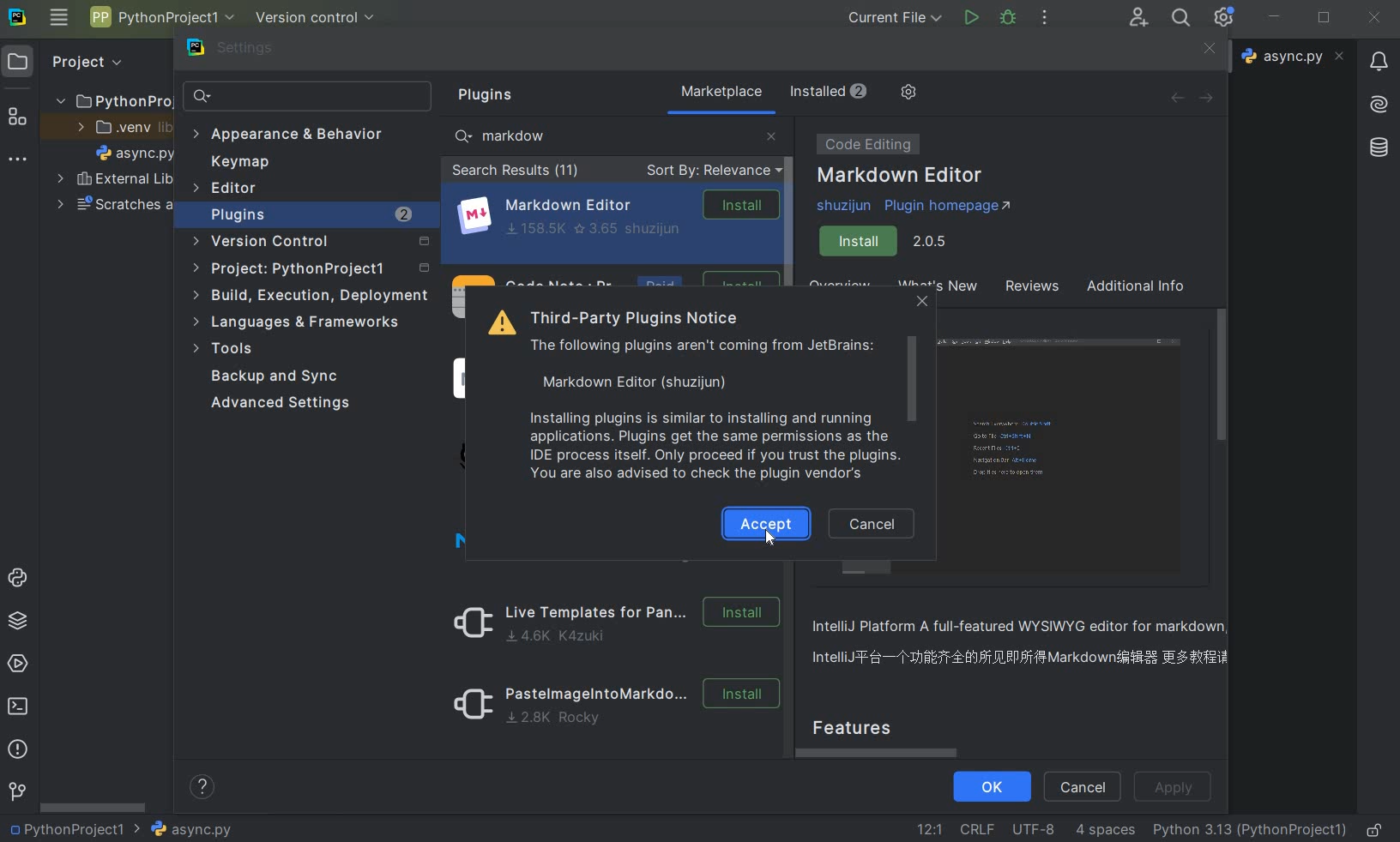 The width and height of the screenshot is (1400, 842). Describe the element at coordinates (895, 17) in the screenshot. I see `current file` at that location.